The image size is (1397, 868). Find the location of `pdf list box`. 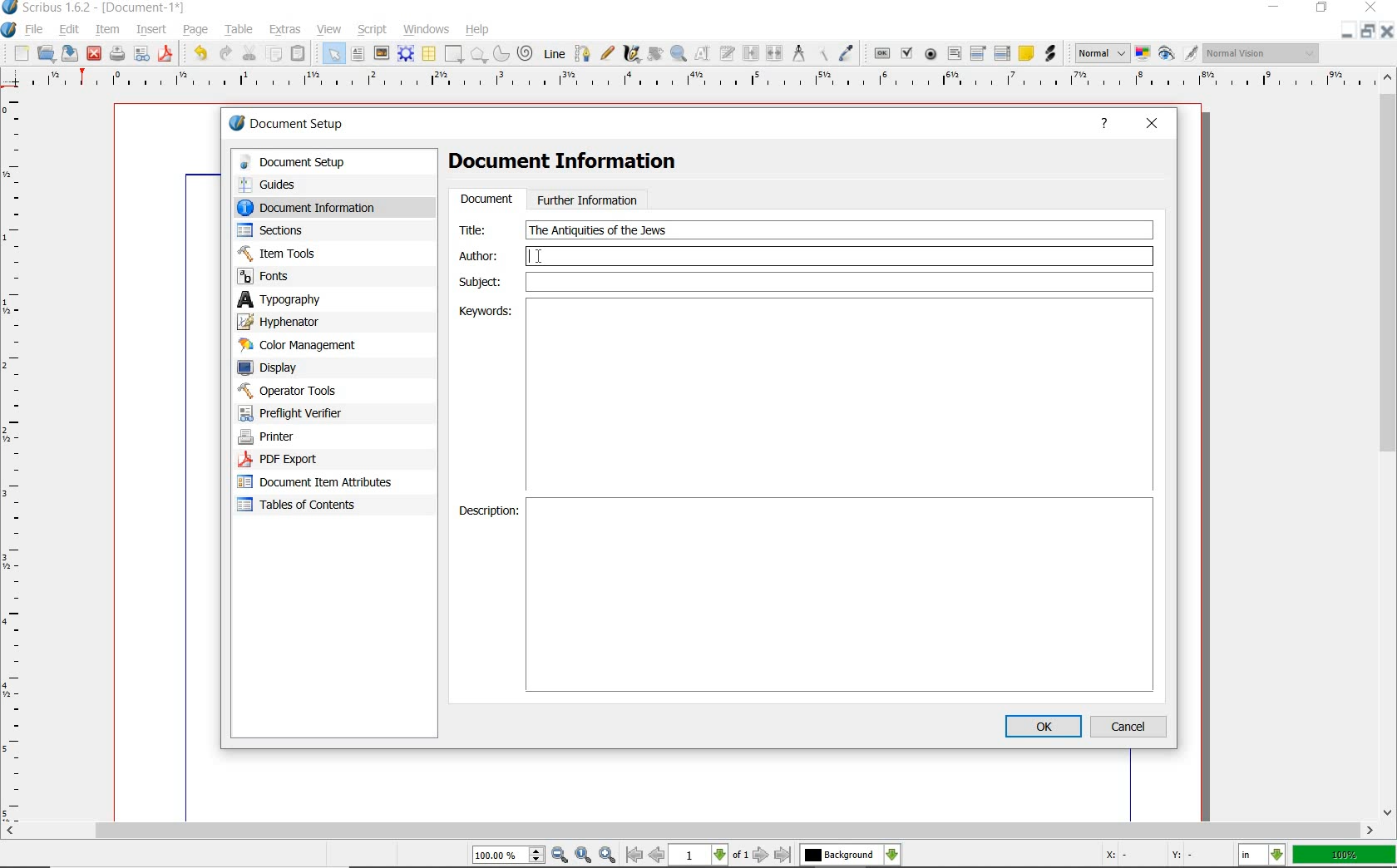

pdf list box is located at coordinates (1001, 53).